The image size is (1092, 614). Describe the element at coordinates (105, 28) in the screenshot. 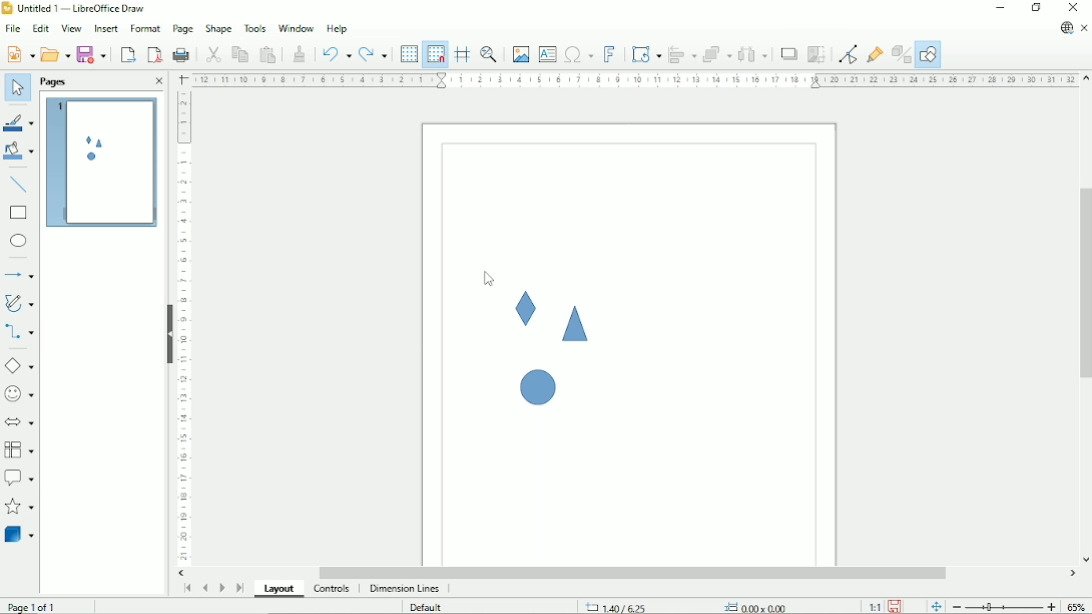

I see `Insert` at that location.